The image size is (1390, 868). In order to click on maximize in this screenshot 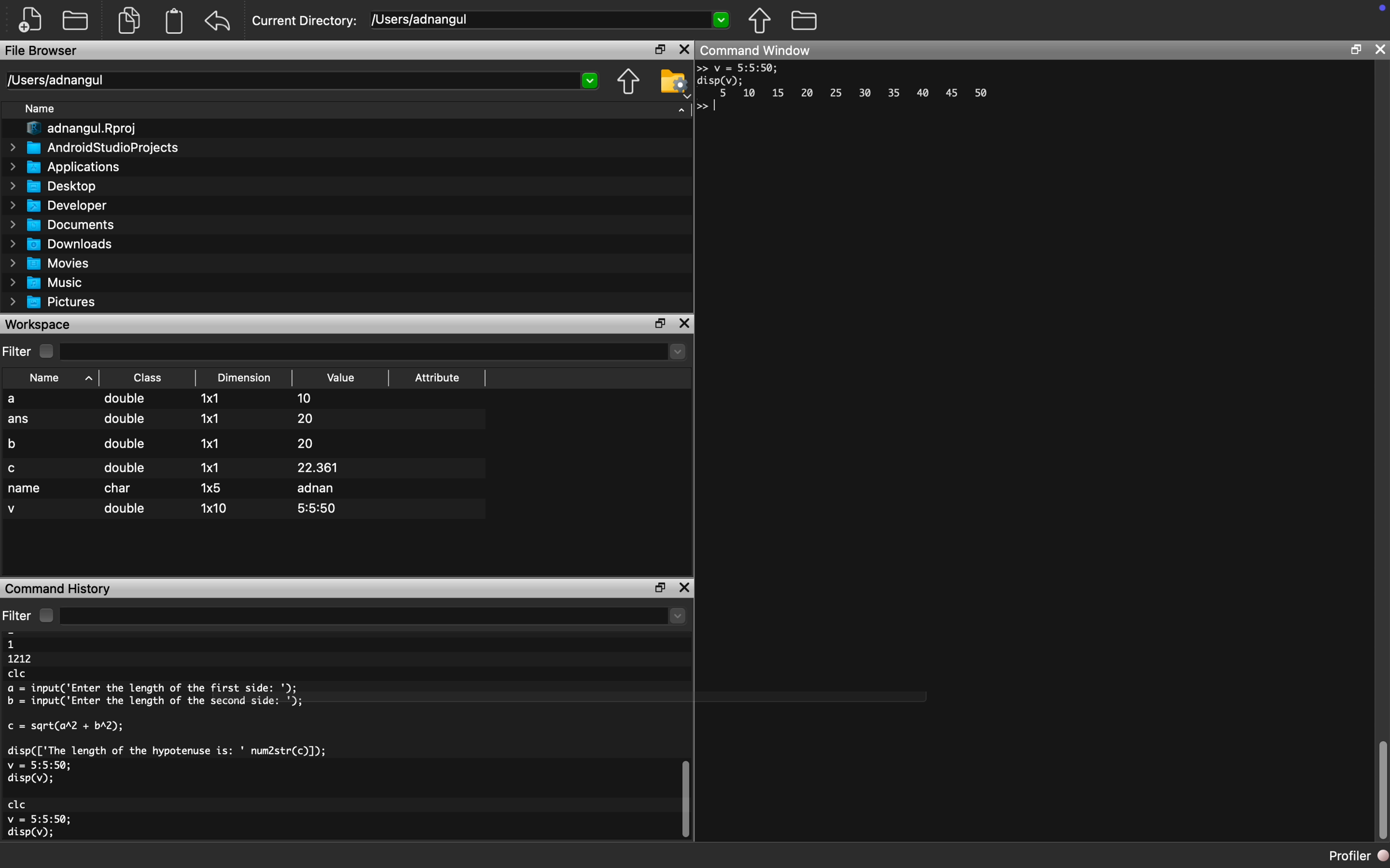, I will do `click(659, 50)`.